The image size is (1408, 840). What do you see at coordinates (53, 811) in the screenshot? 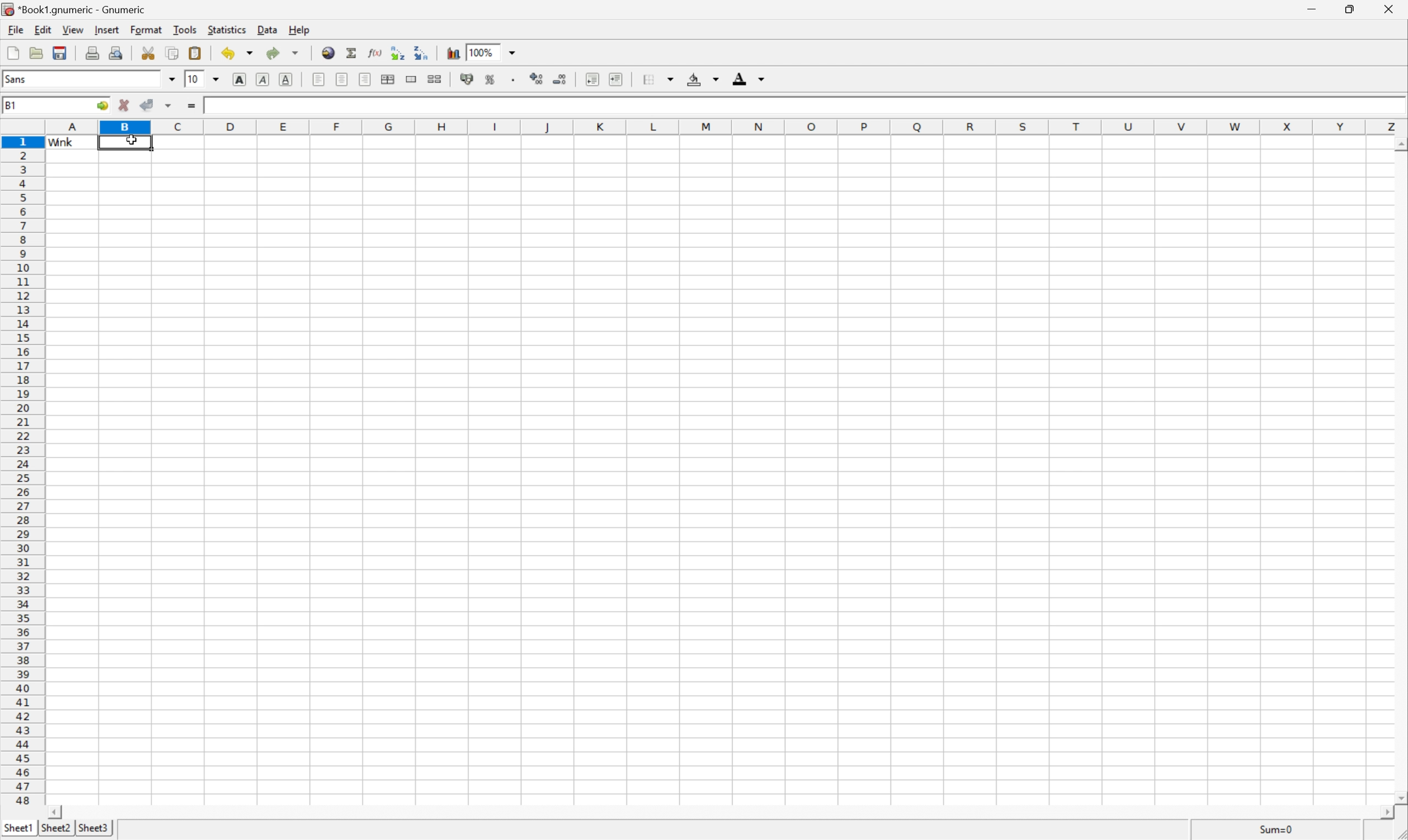
I see `scroll right` at bounding box center [53, 811].